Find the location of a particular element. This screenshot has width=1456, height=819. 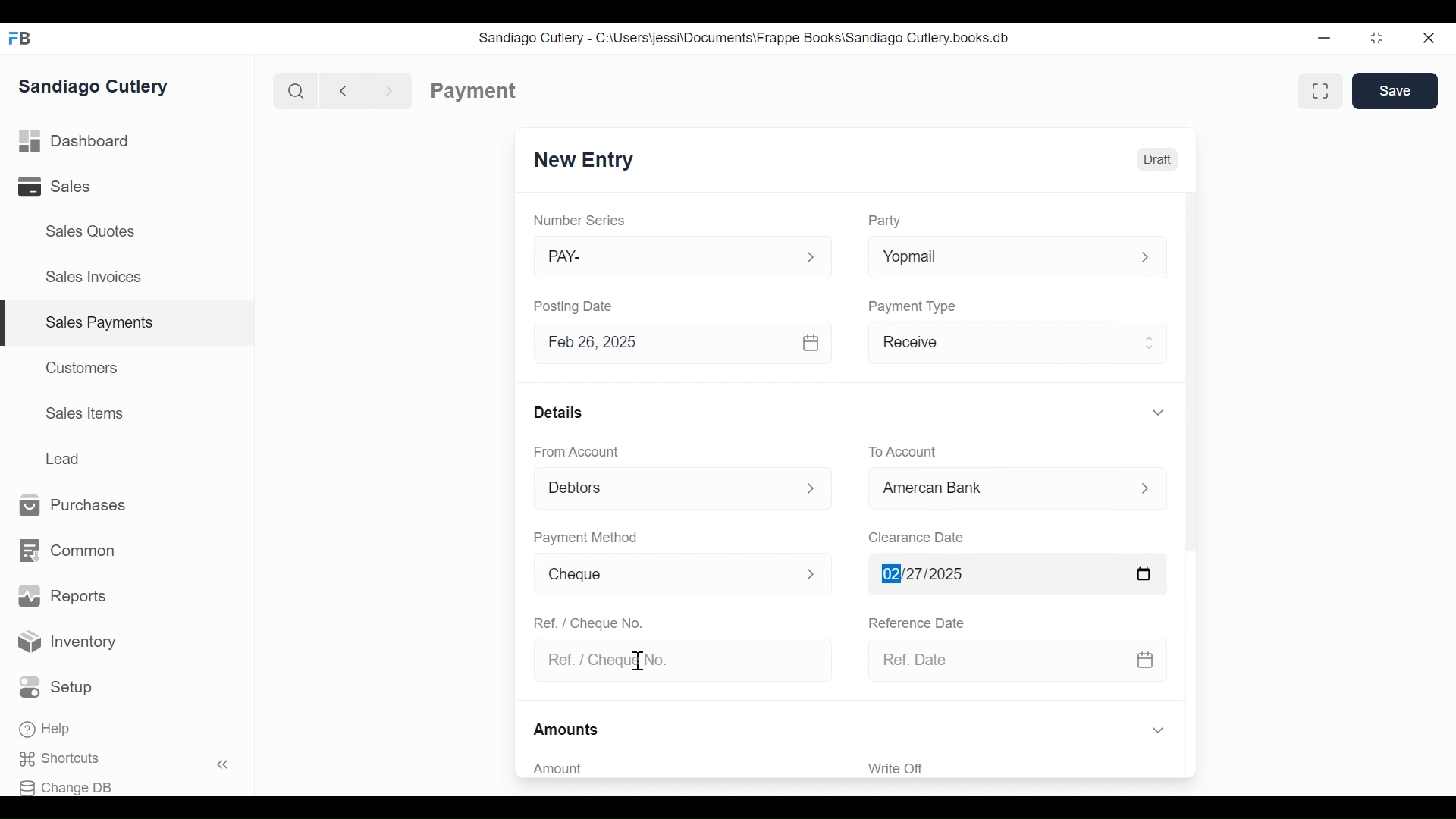

cursor is located at coordinates (640, 661).